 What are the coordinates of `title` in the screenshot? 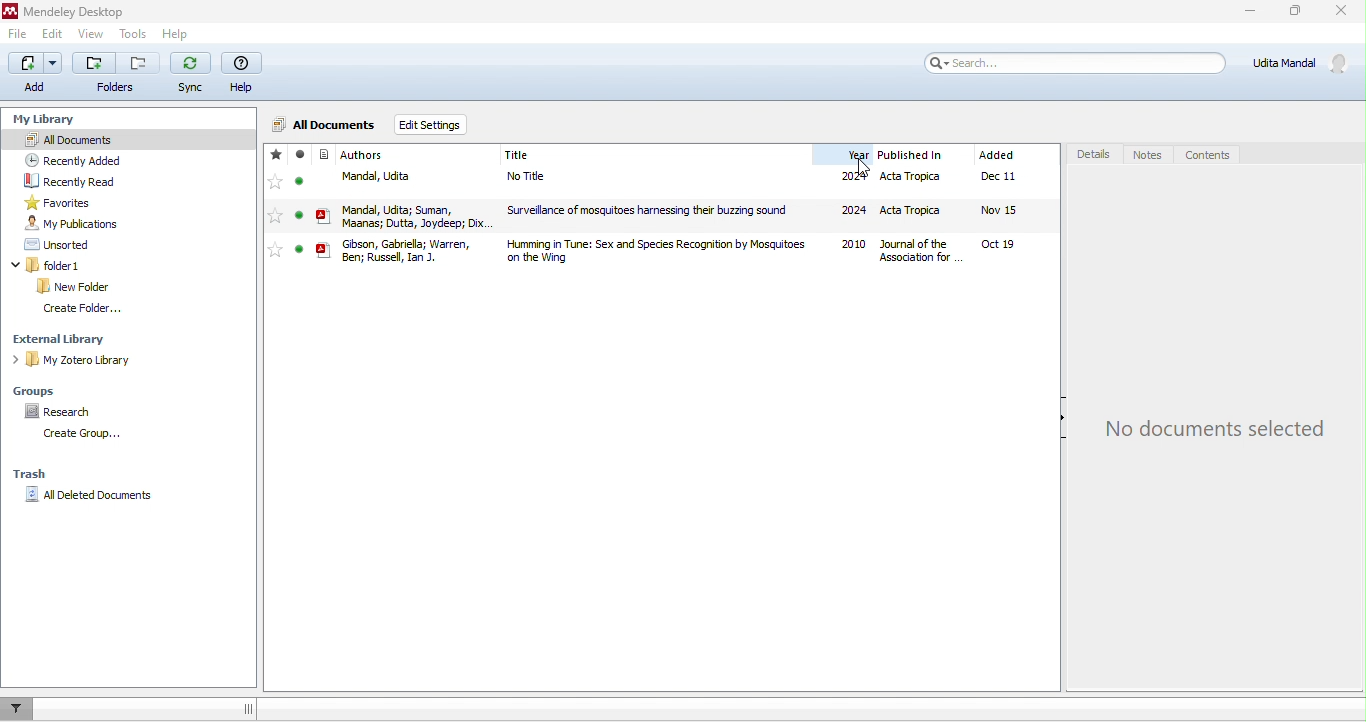 It's located at (553, 153).